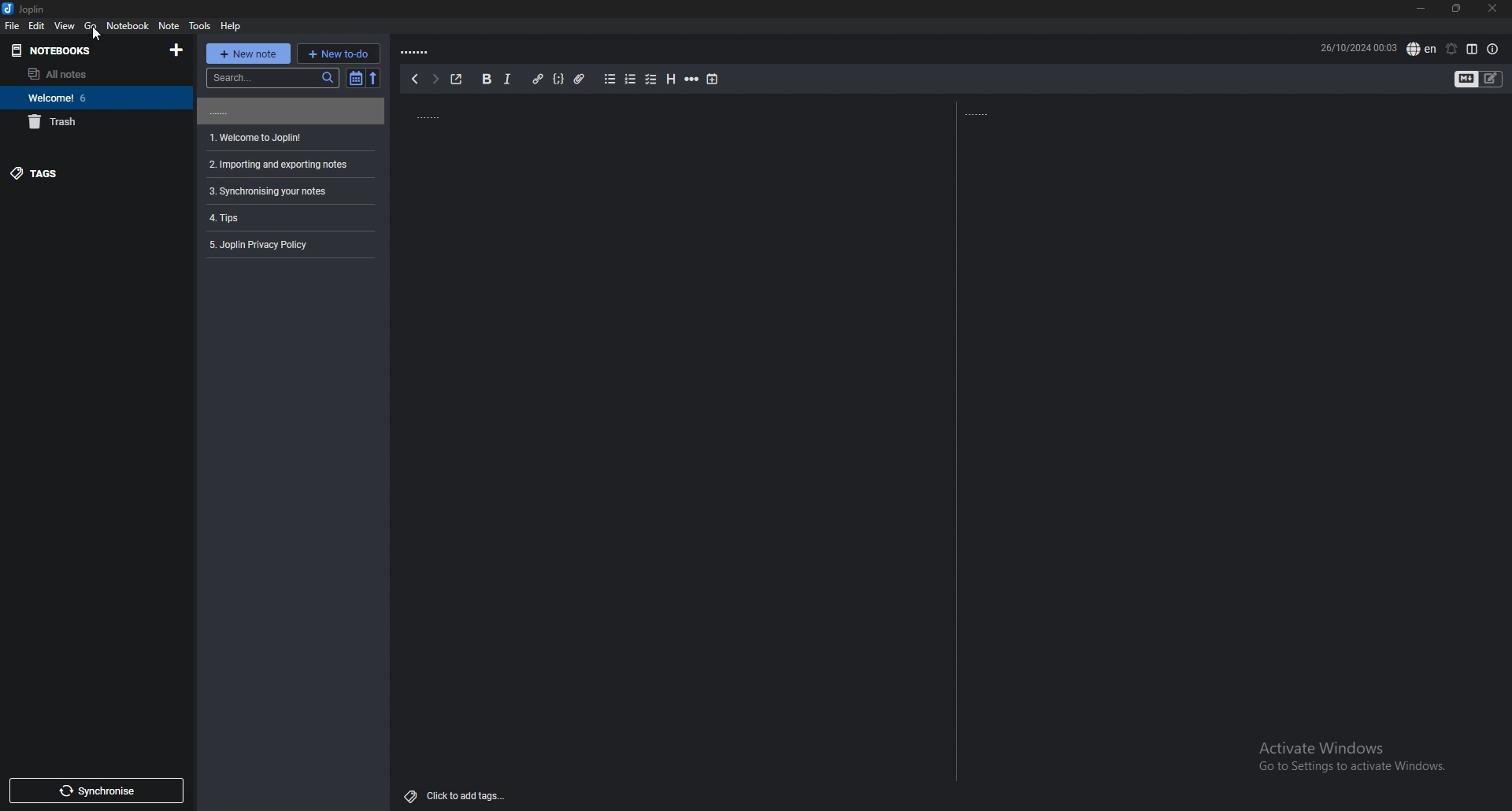  What do you see at coordinates (376, 78) in the screenshot?
I see `reverse sort order` at bounding box center [376, 78].